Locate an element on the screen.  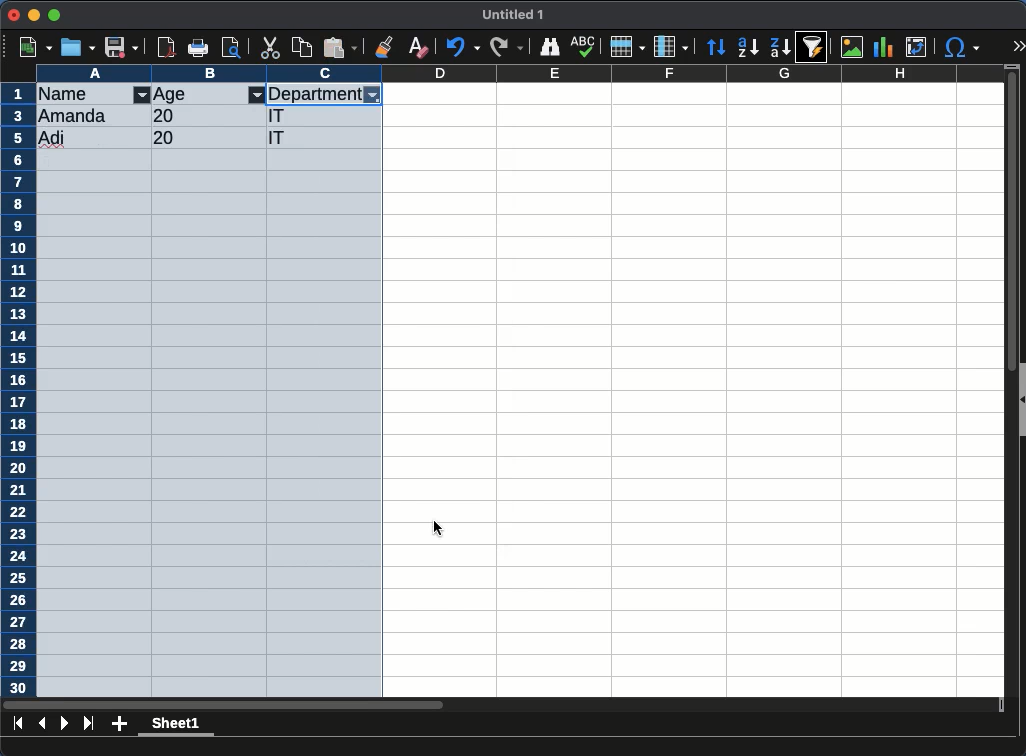
columns is located at coordinates (671, 45).